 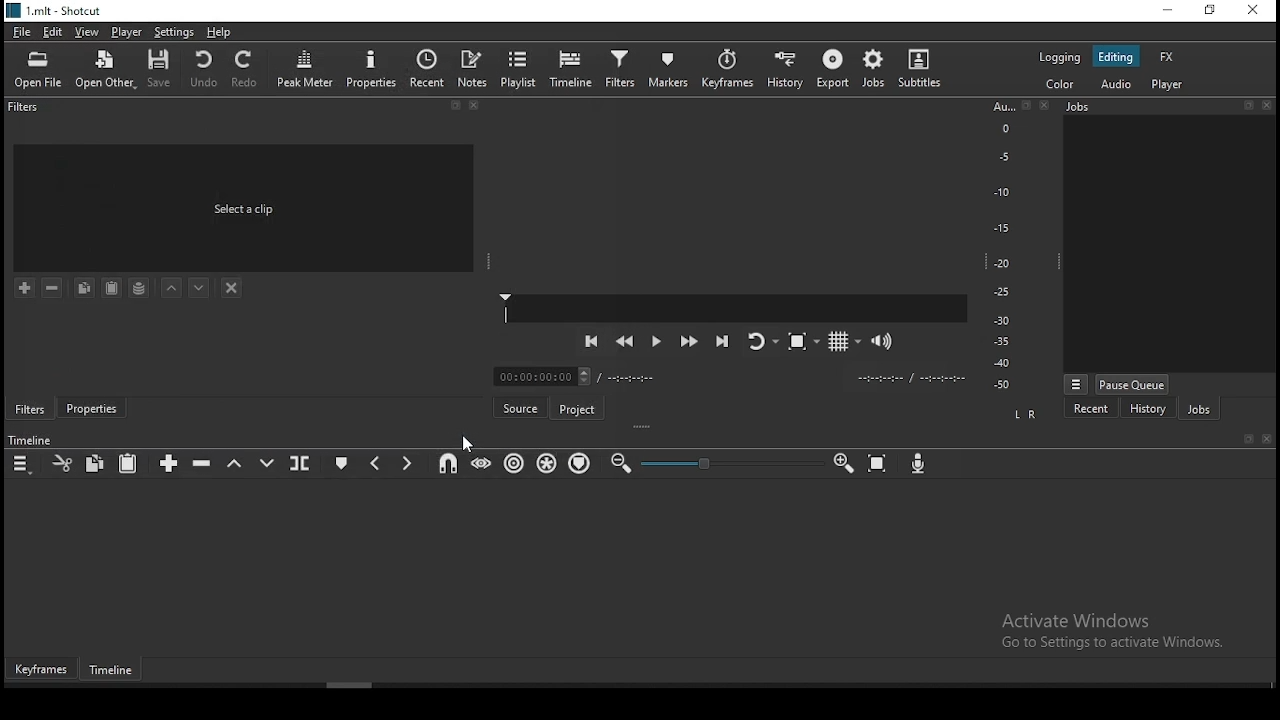 What do you see at coordinates (1134, 384) in the screenshot?
I see `pause queue` at bounding box center [1134, 384].